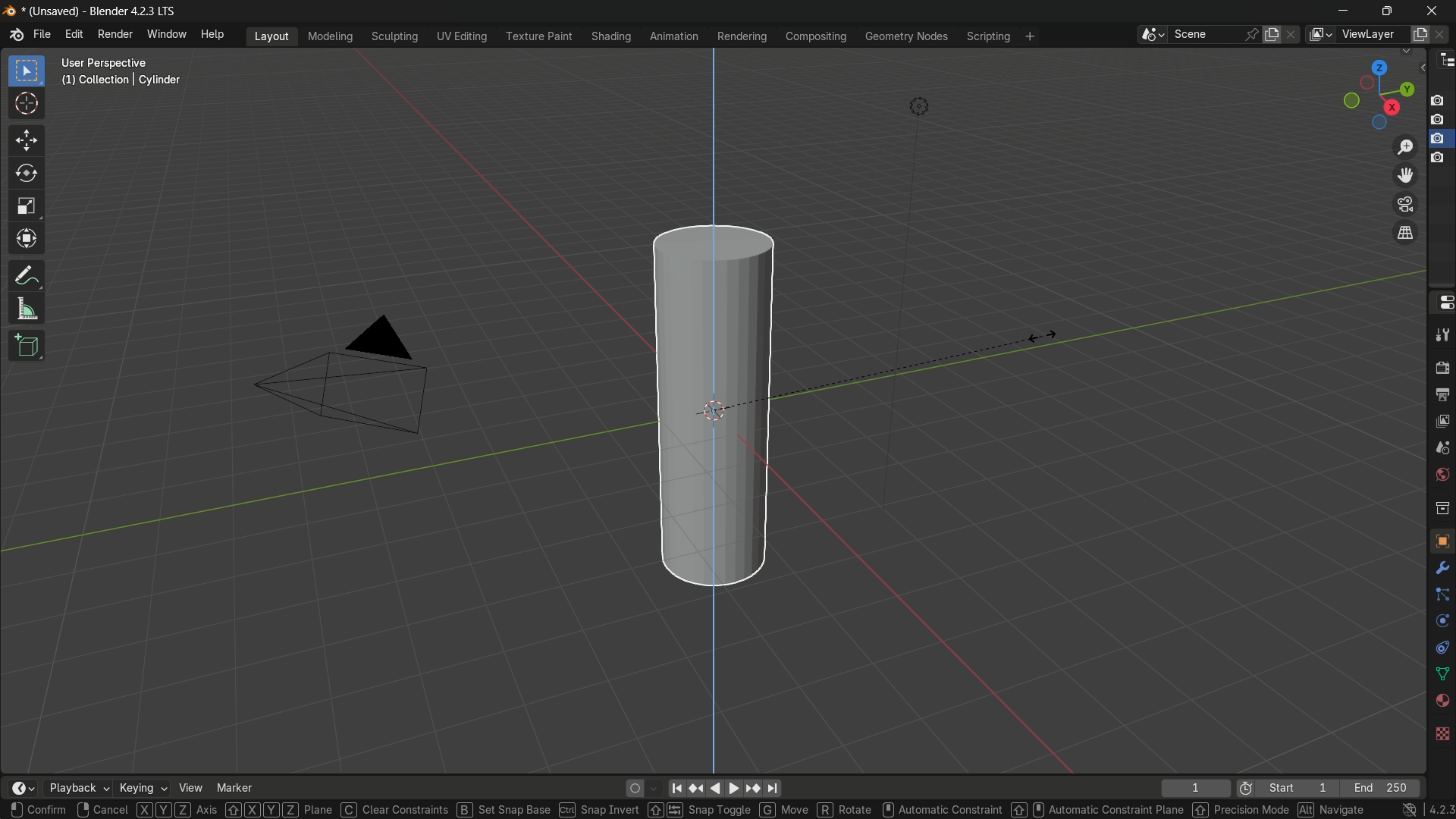 This screenshot has width=1456, height=819. Describe the element at coordinates (1441, 369) in the screenshot. I see `render` at that location.